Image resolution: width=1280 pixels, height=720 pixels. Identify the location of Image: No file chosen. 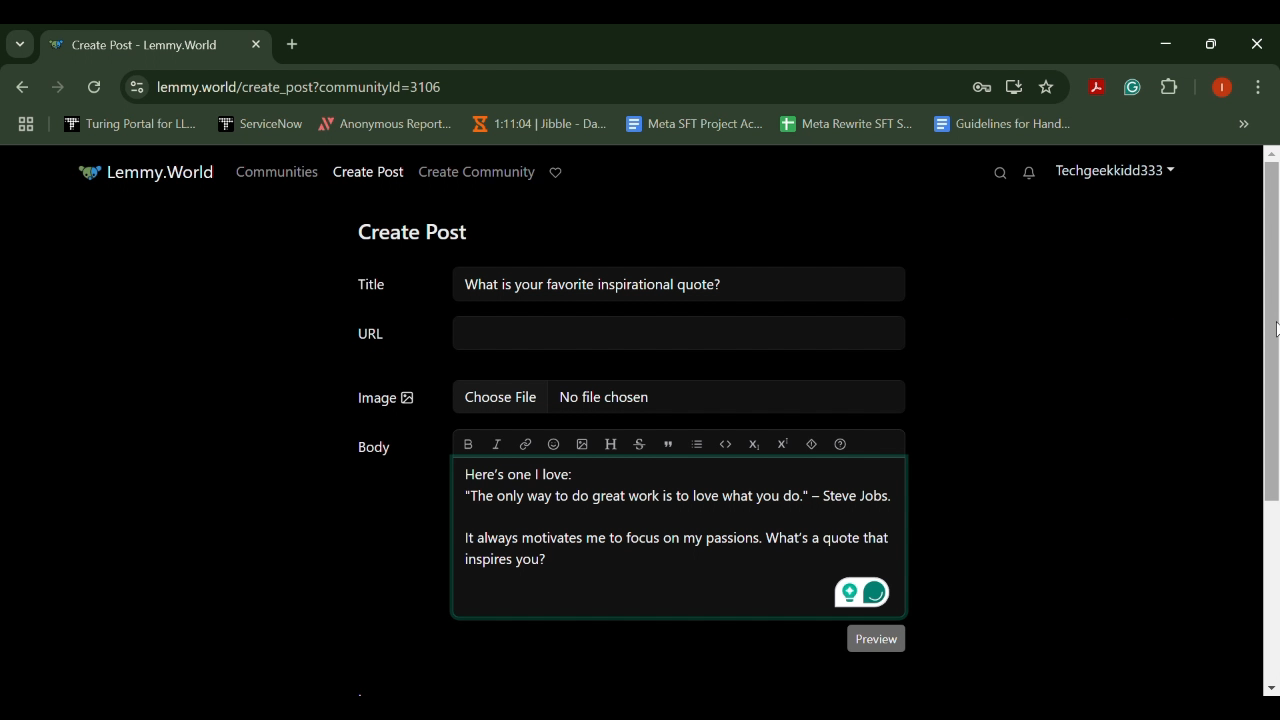
(630, 400).